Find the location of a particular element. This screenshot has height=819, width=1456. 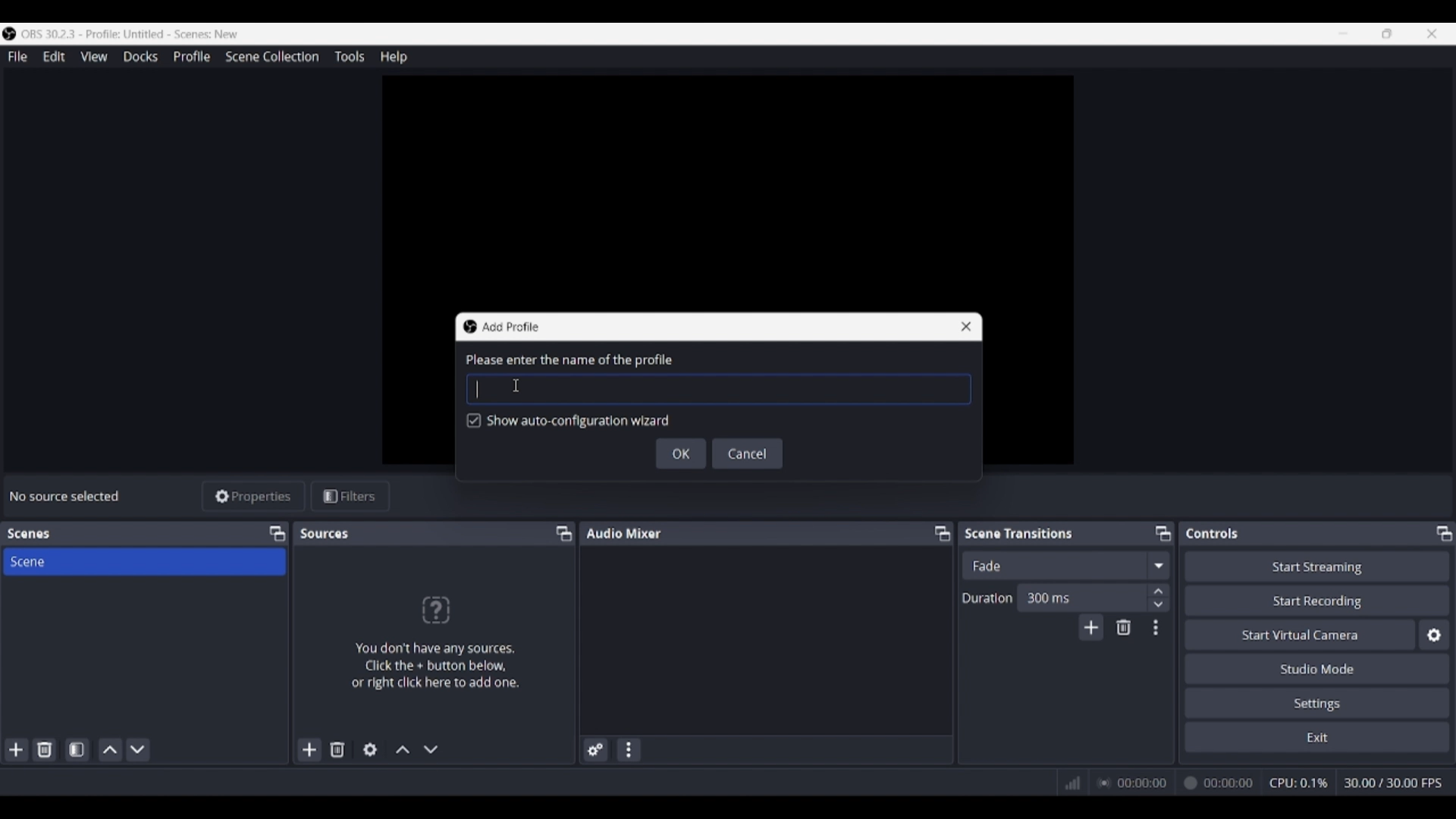

Help menu is located at coordinates (394, 57).